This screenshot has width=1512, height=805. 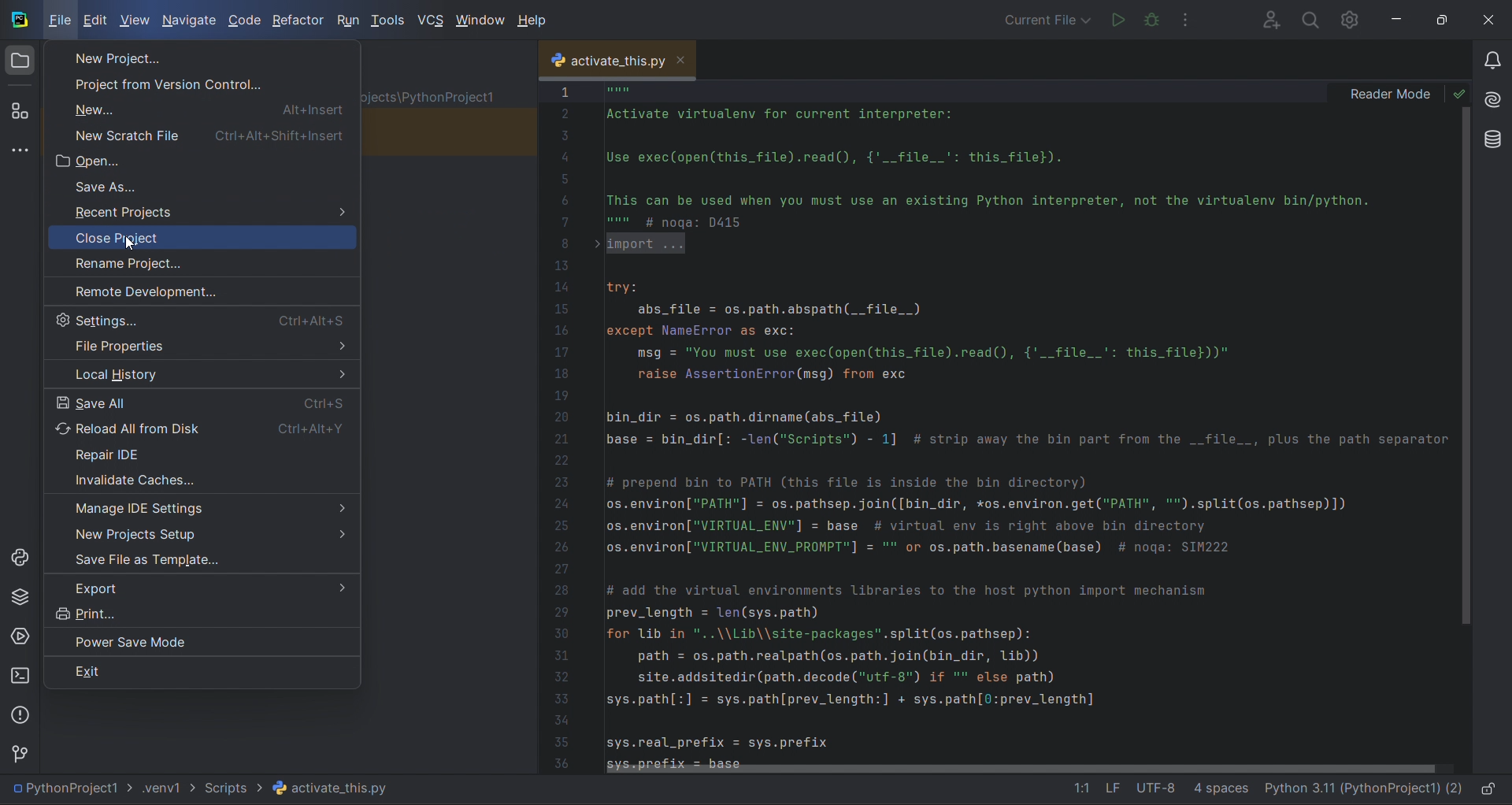 What do you see at coordinates (1362, 789) in the screenshot?
I see `Python 3.11 (PythonProject1) (2)` at bounding box center [1362, 789].